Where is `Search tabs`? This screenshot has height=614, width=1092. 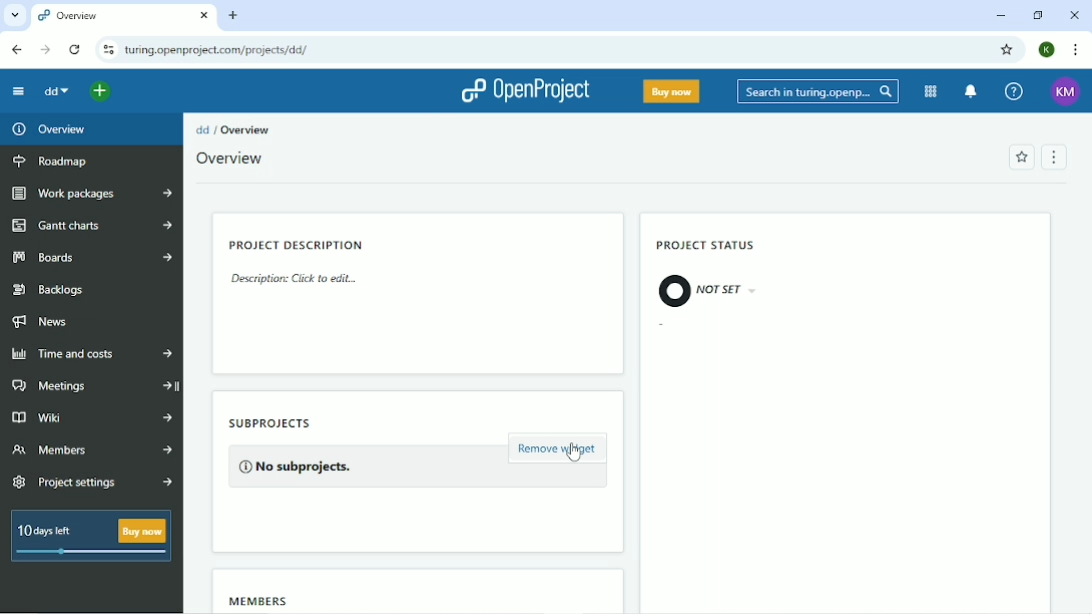 Search tabs is located at coordinates (16, 17).